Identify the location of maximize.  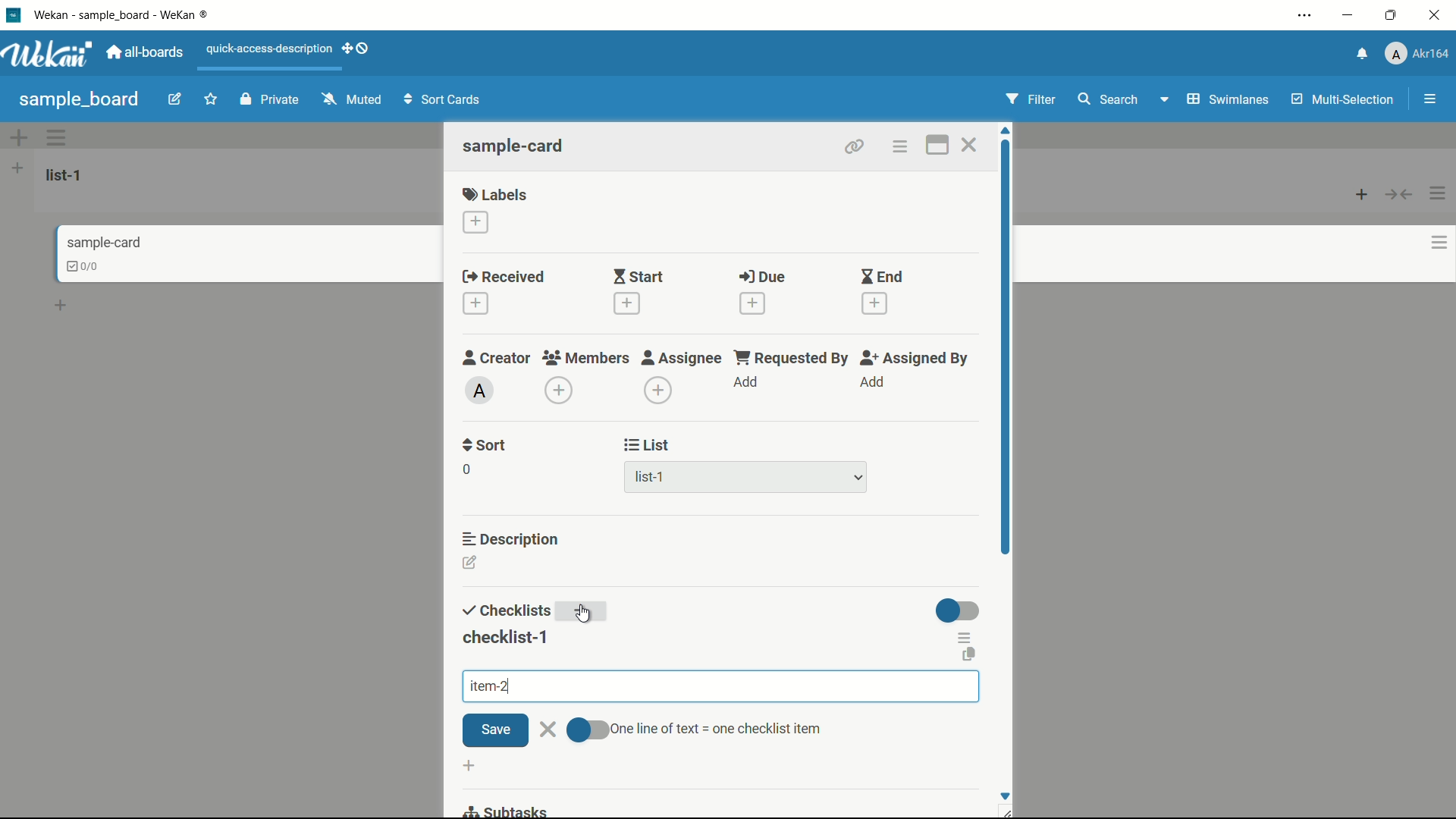
(1393, 16).